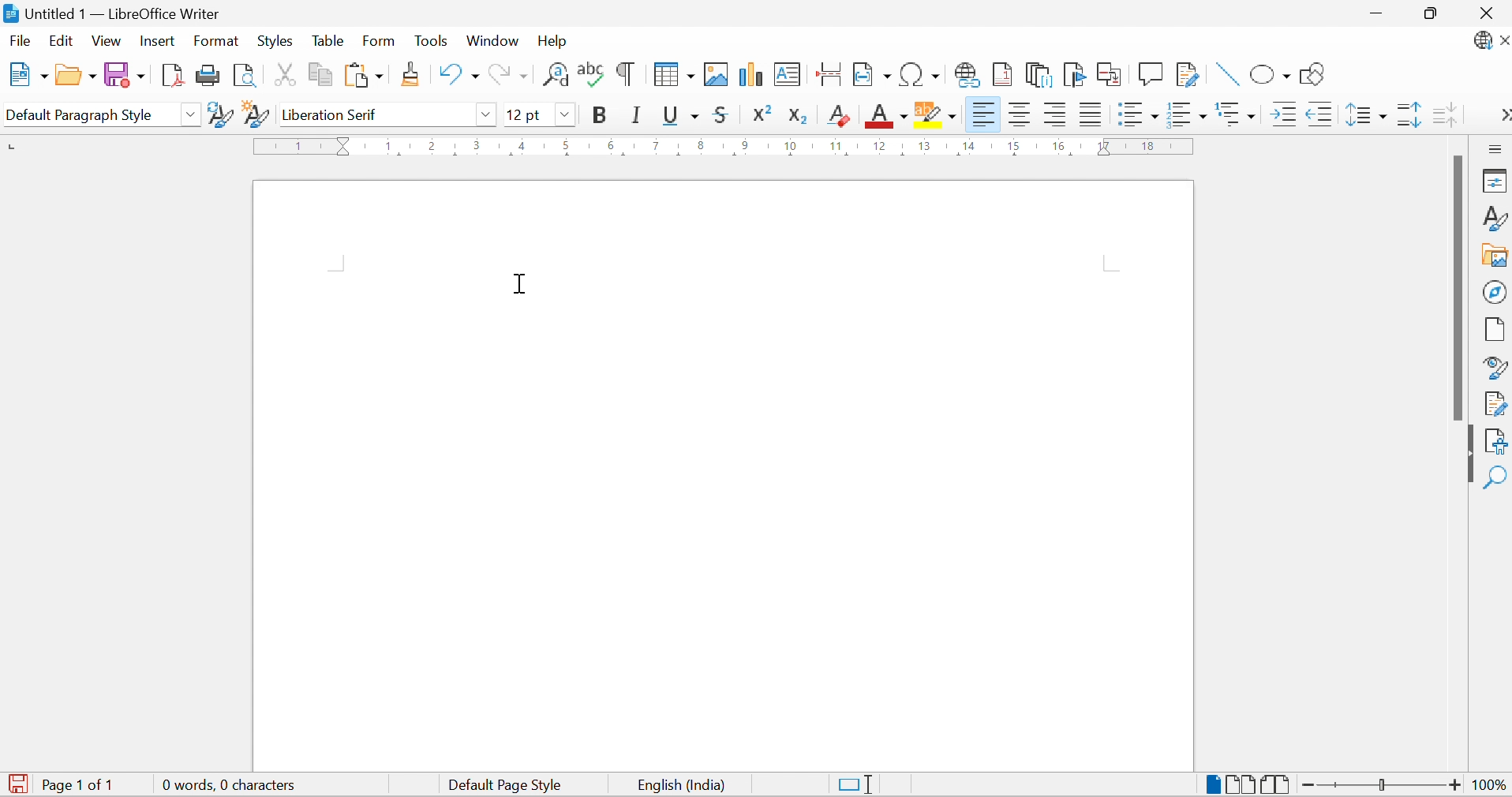  I want to click on Styles, so click(1494, 216).